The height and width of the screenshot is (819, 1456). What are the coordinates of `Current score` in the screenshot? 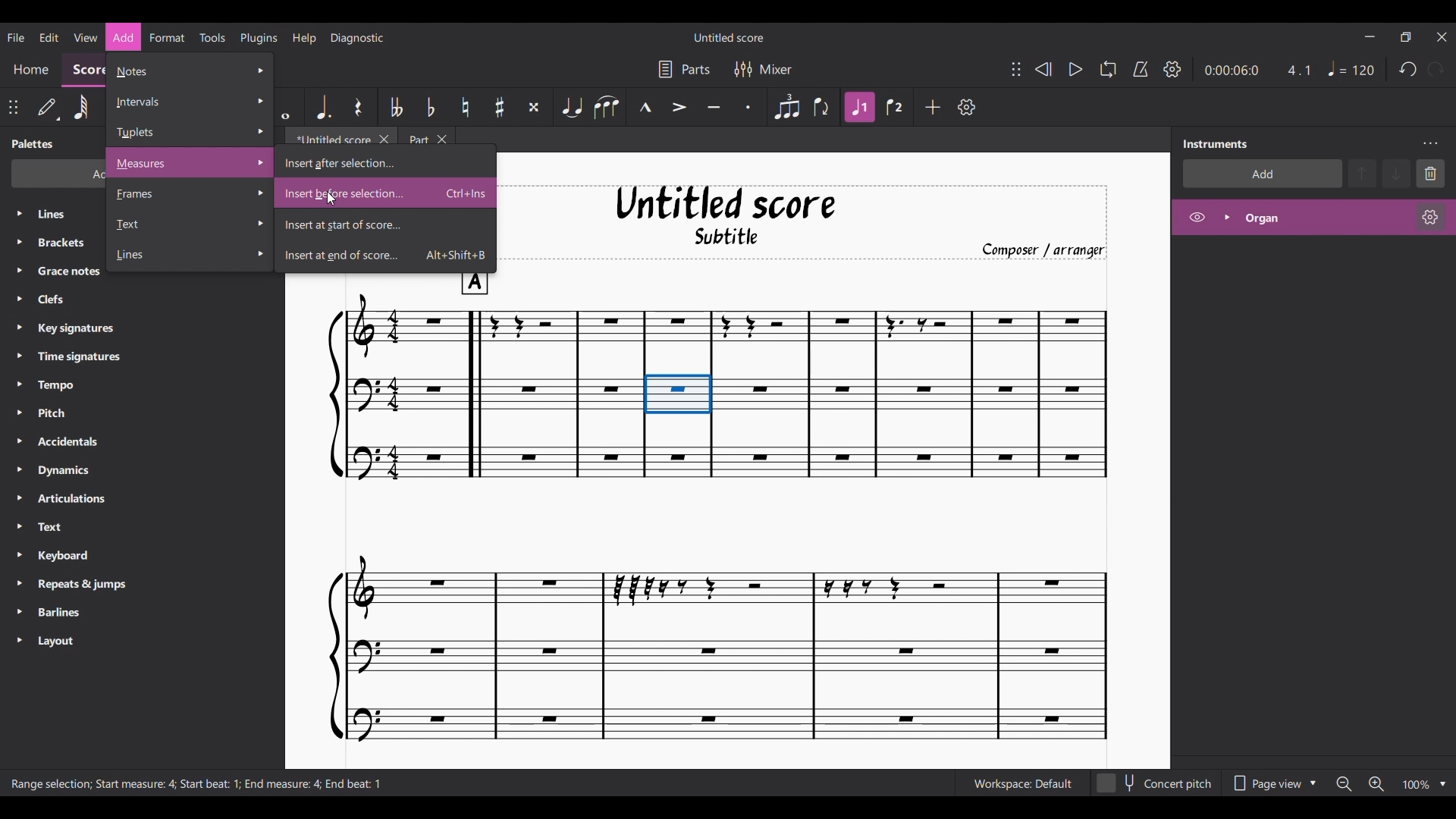 It's located at (717, 510).